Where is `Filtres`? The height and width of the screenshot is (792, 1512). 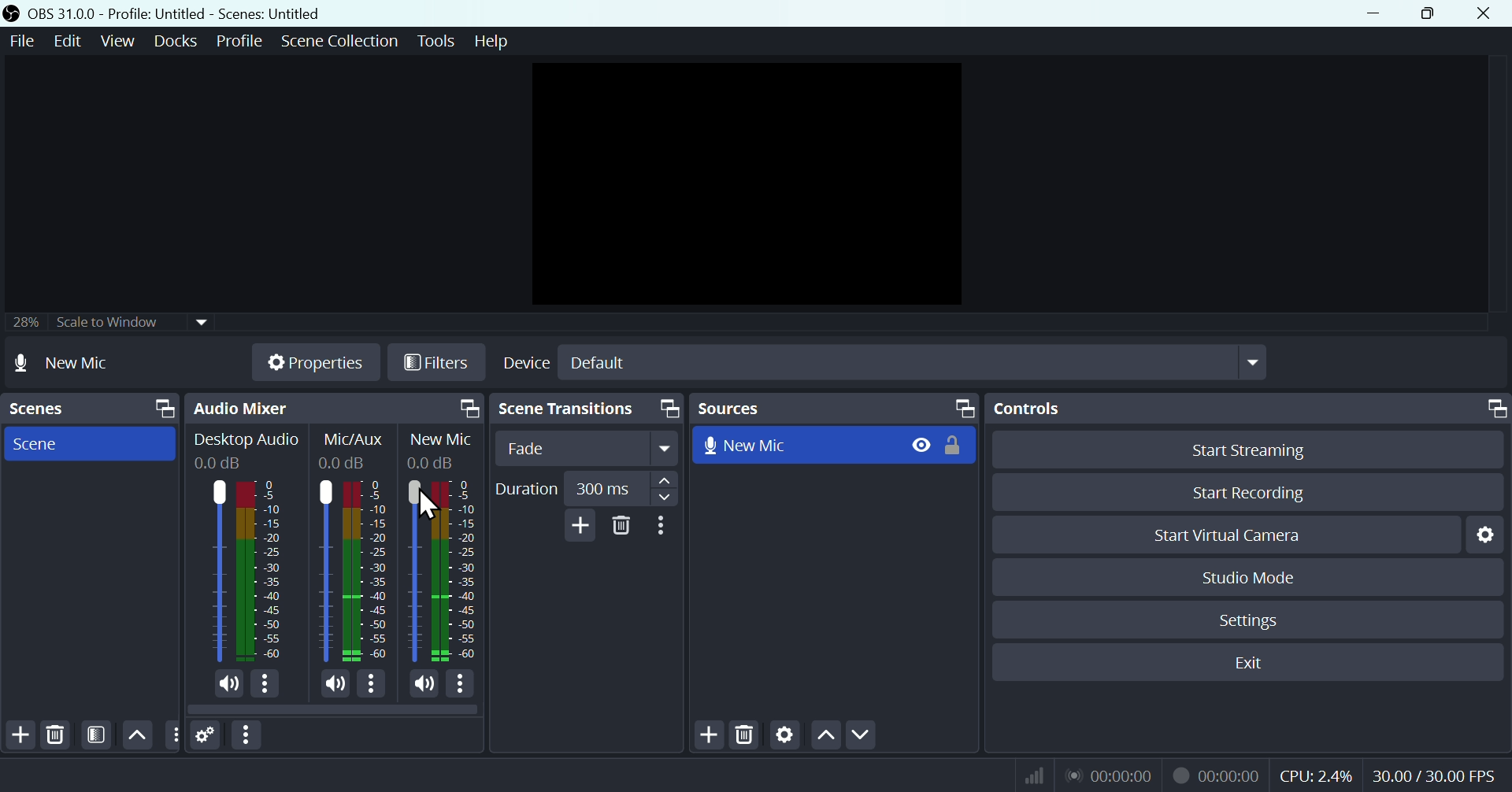
Filtres is located at coordinates (437, 365).